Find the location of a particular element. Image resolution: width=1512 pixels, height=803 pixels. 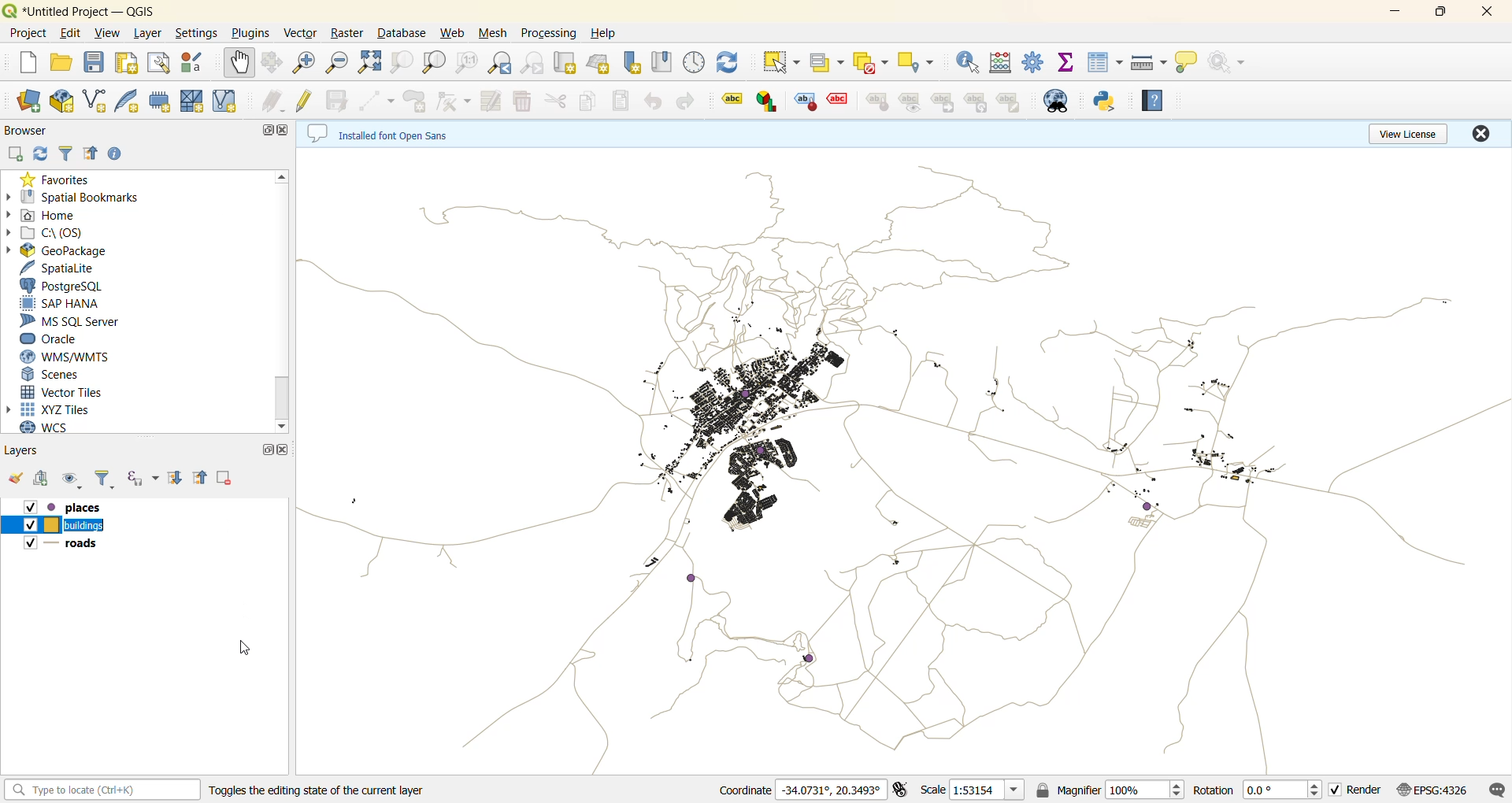

style manager is located at coordinates (197, 64).